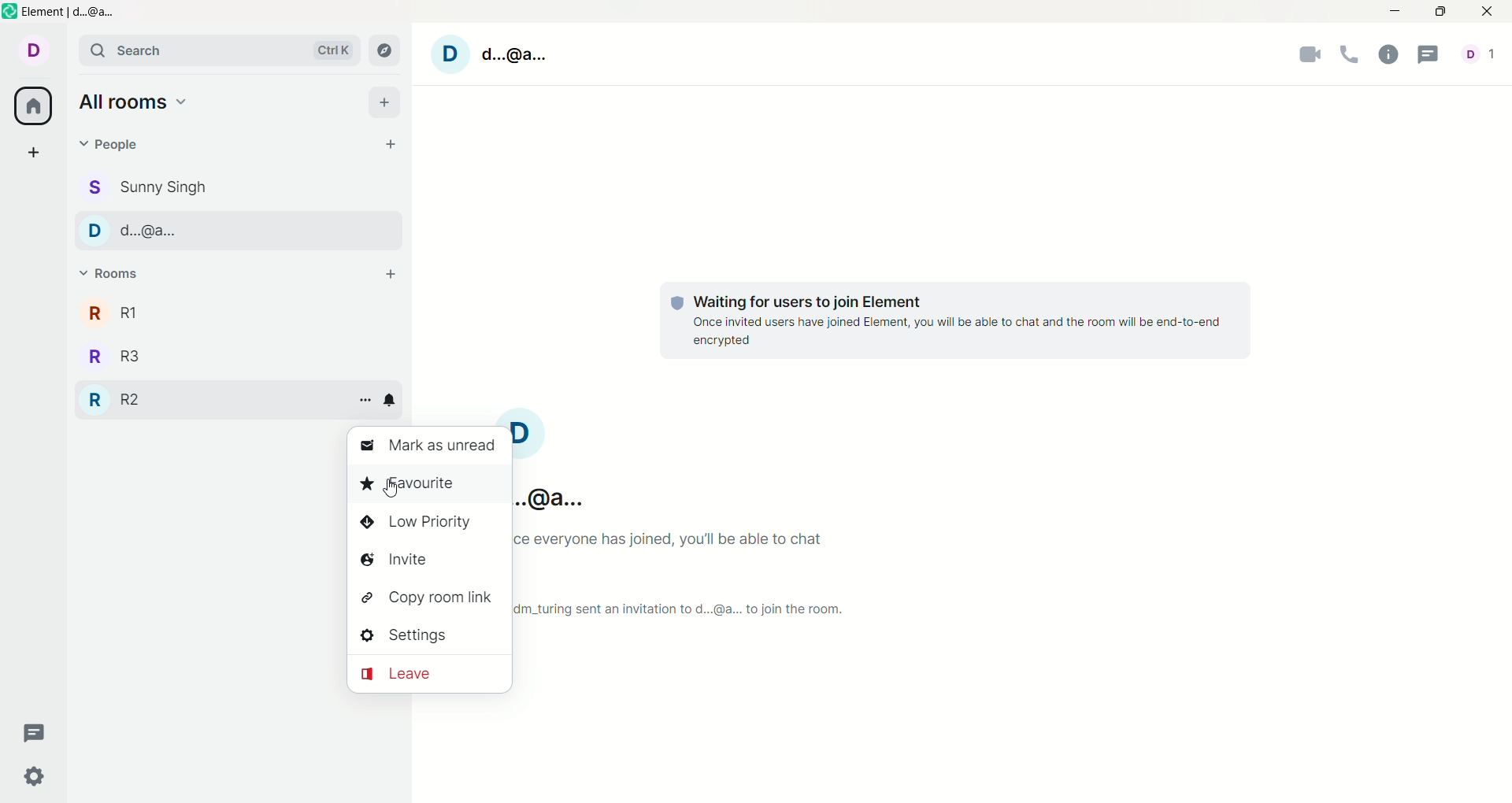 The image size is (1512, 803). Describe the element at coordinates (390, 488) in the screenshot. I see `Cursor` at that location.